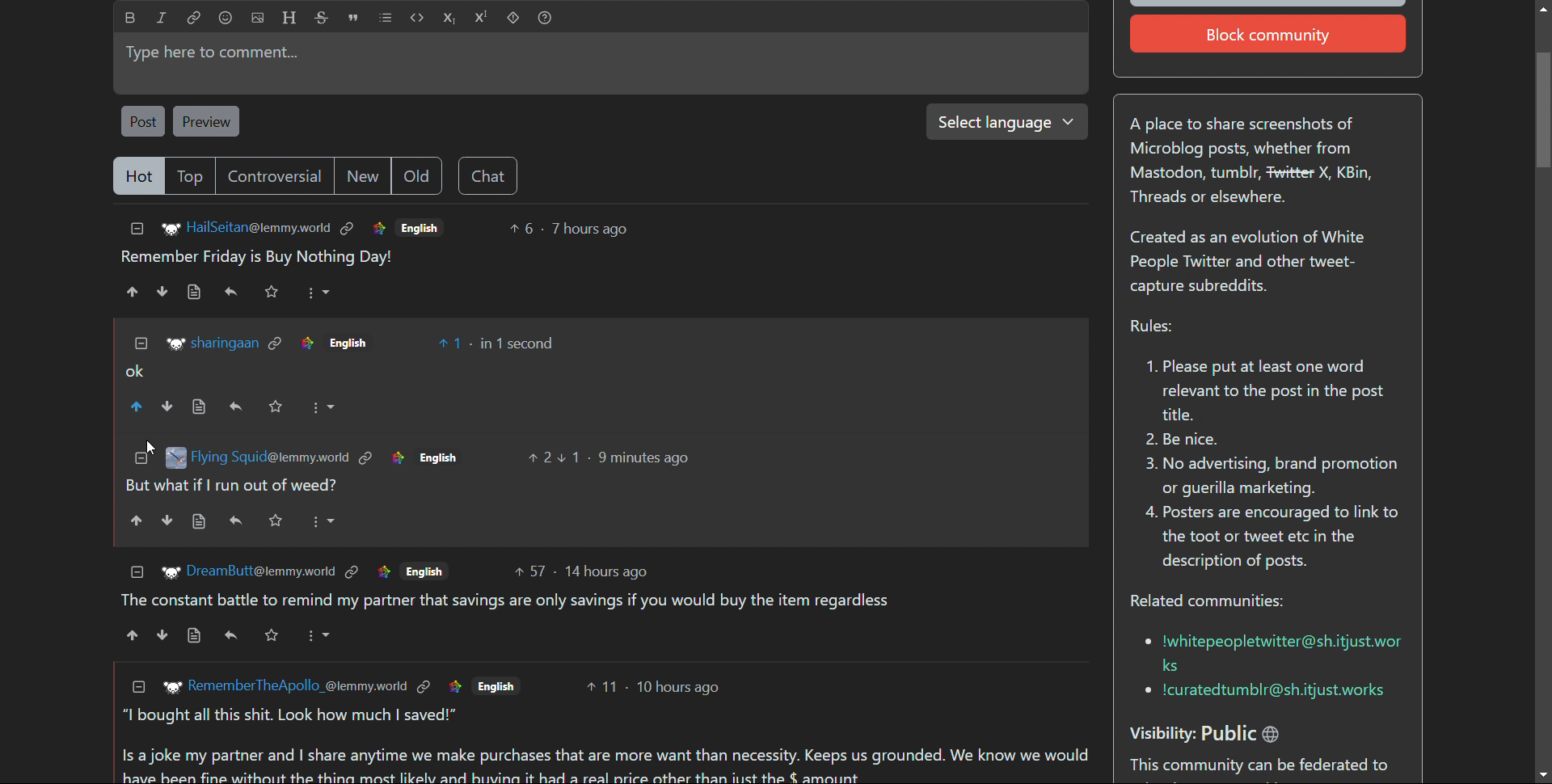 The height and width of the screenshot is (784, 1552). What do you see at coordinates (541, 458) in the screenshot?
I see `number of upvotes` at bounding box center [541, 458].